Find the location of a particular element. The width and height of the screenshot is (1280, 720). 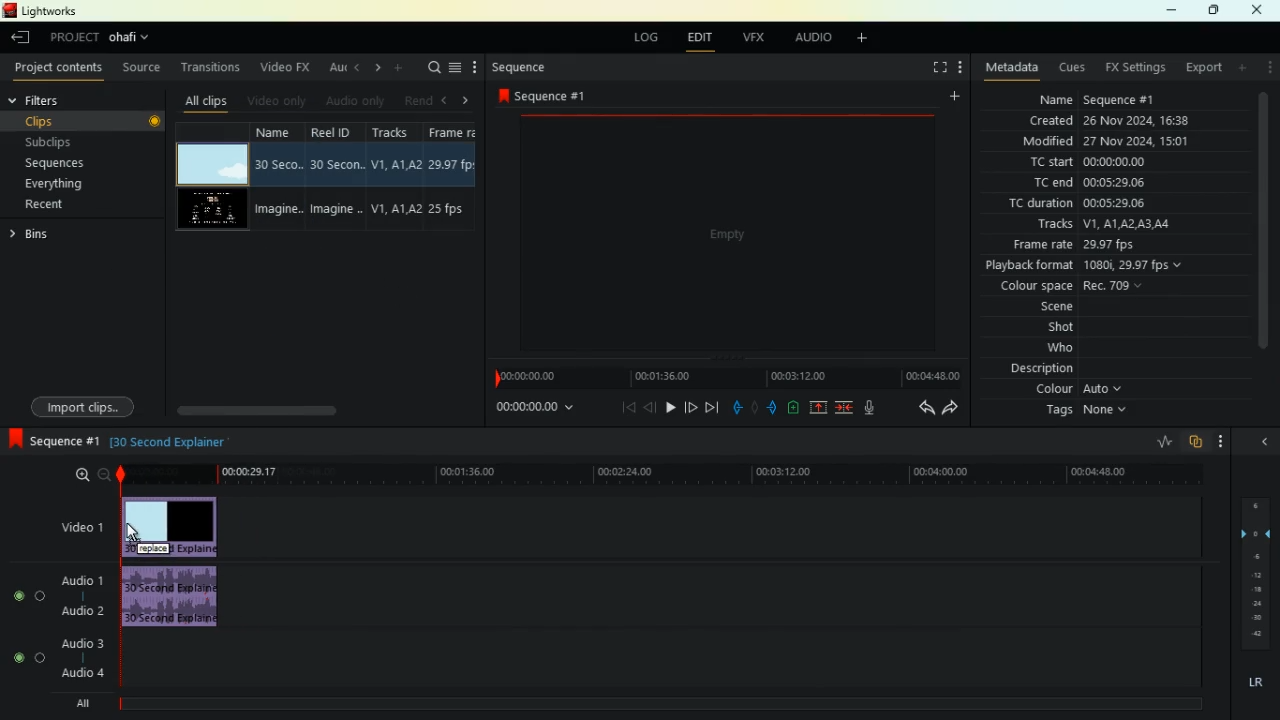

up is located at coordinates (815, 408).